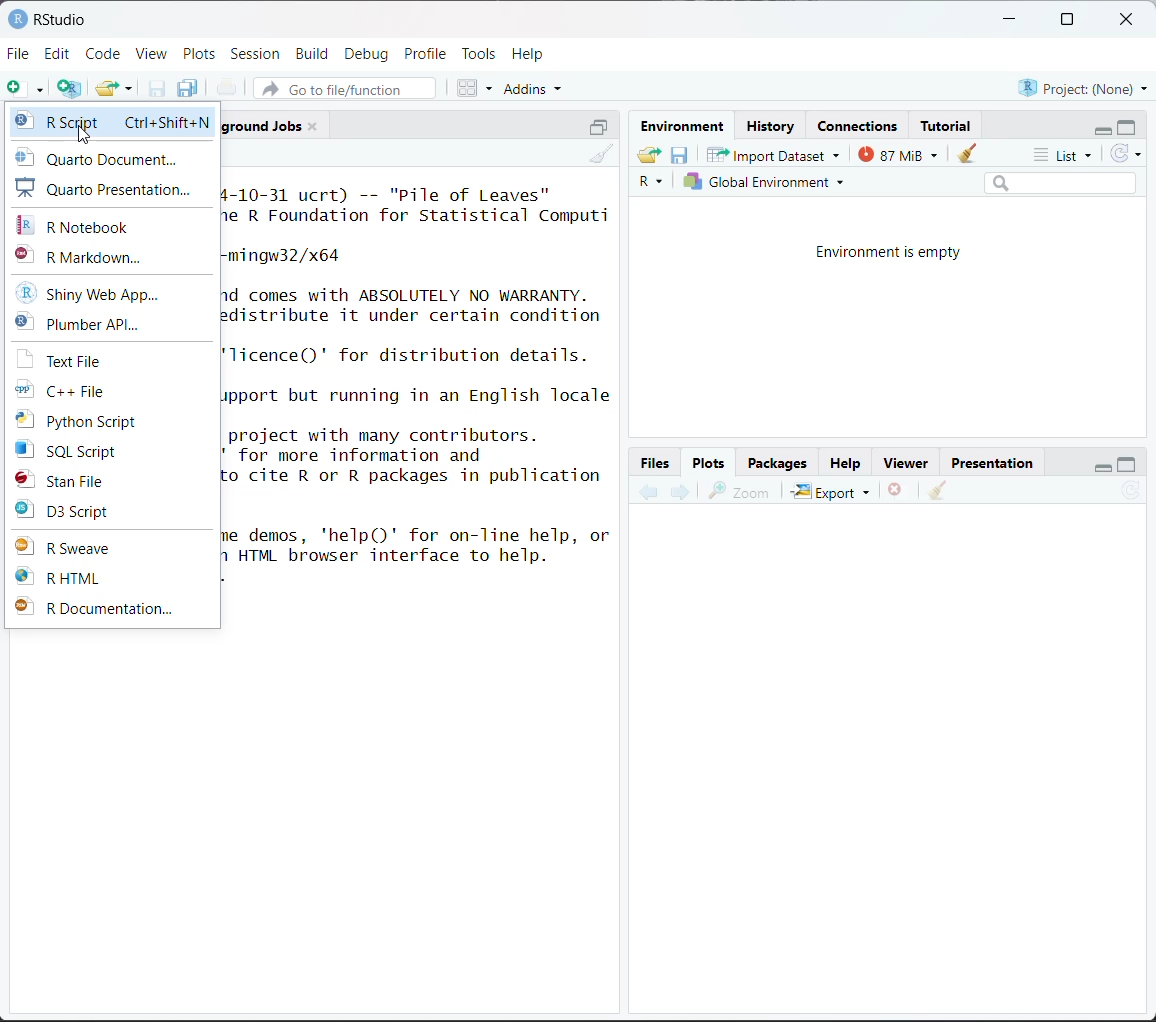 The height and width of the screenshot is (1022, 1156). What do you see at coordinates (87, 293) in the screenshot?
I see `Shiny Web App...` at bounding box center [87, 293].